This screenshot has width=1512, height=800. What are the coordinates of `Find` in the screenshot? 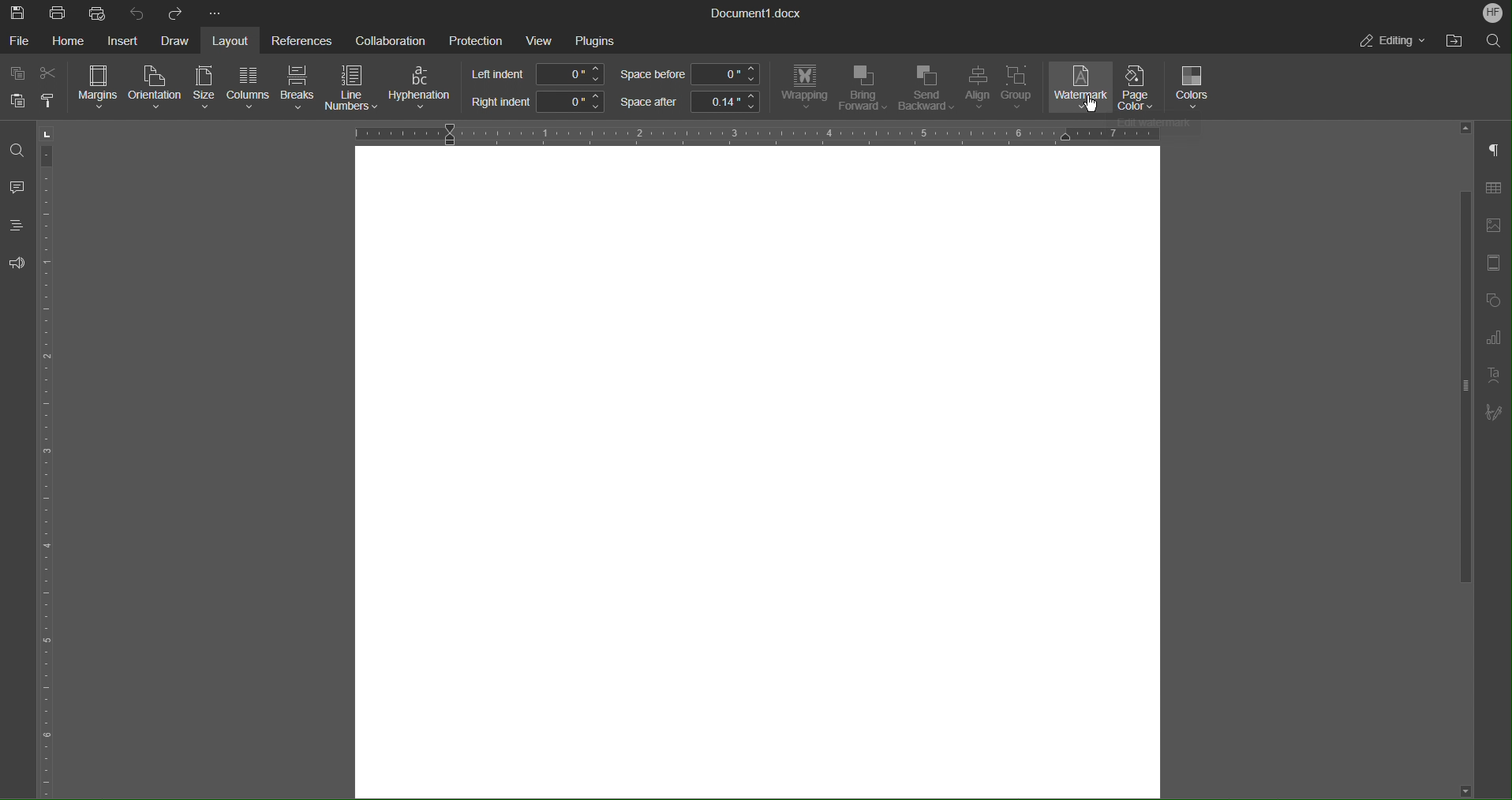 It's located at (16, 150).